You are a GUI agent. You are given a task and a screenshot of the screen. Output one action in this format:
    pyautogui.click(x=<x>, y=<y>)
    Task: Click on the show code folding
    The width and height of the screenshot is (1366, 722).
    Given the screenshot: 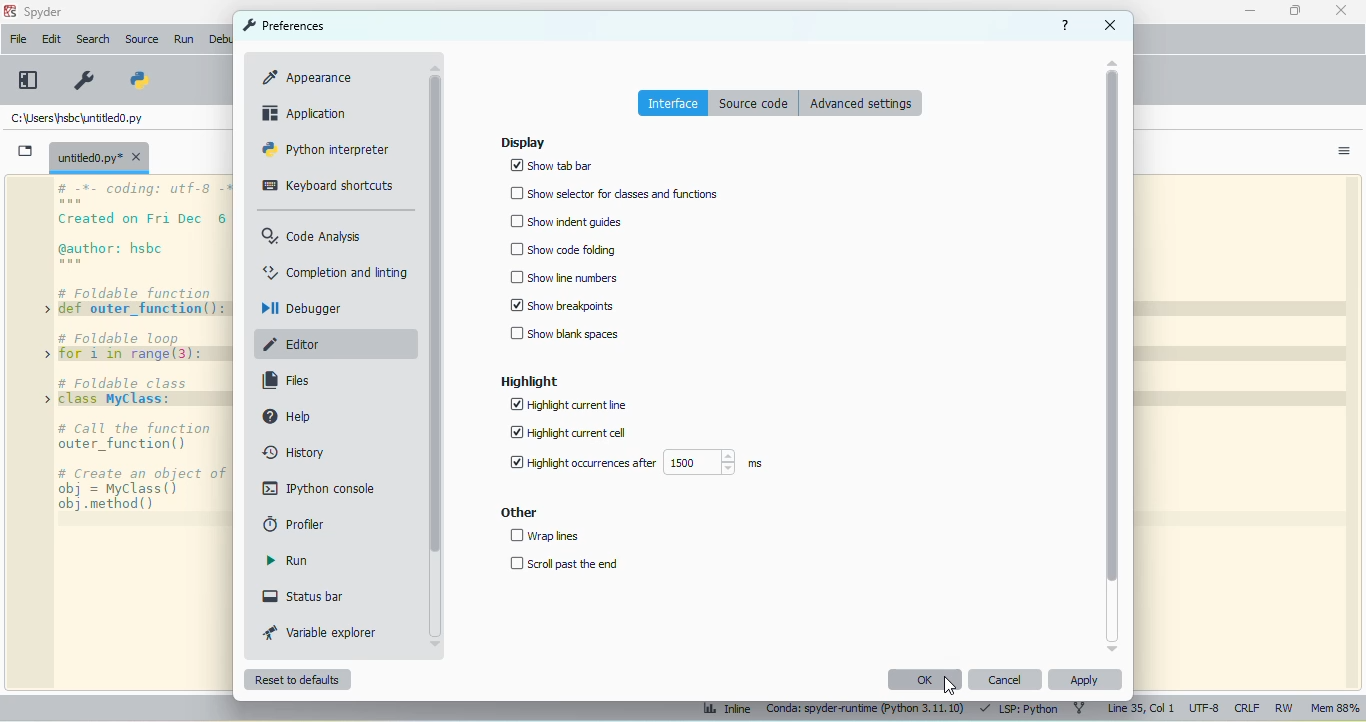 What is the action you would take?
    pyautogui.click(x=563, y=249)
    